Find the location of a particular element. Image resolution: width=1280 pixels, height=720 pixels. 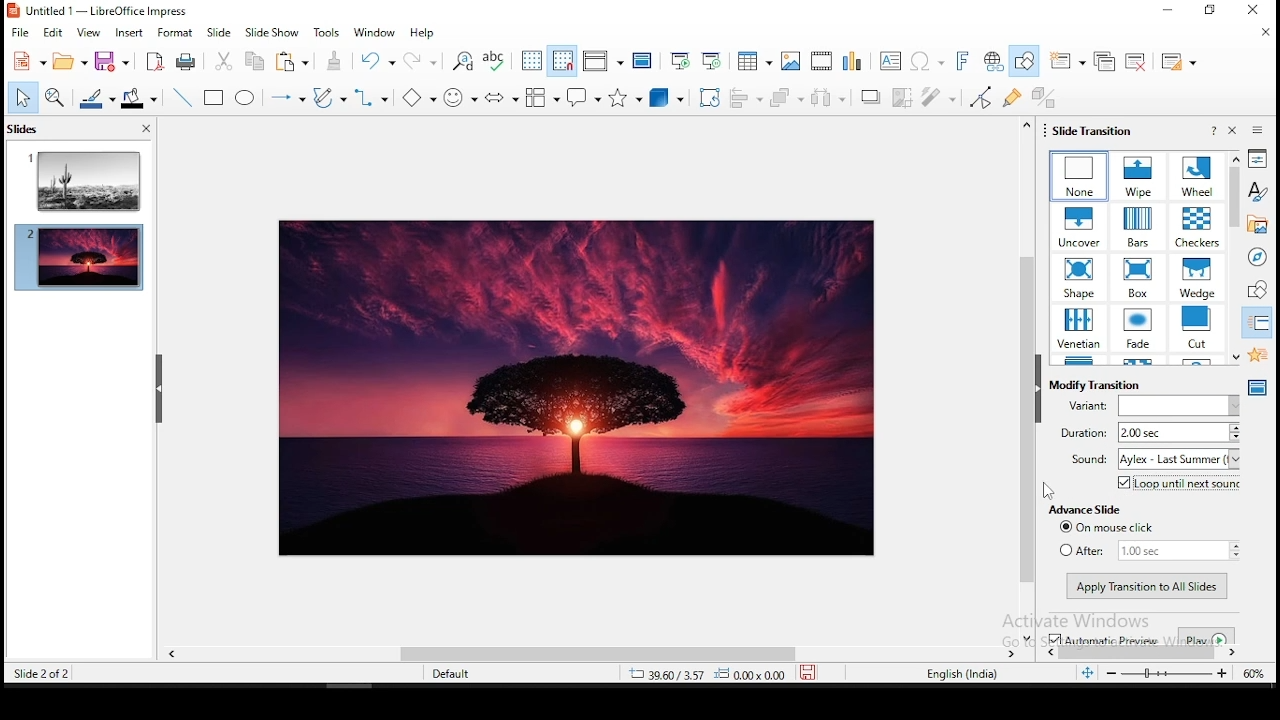

transition effects is located at coordinates (1080, 279).